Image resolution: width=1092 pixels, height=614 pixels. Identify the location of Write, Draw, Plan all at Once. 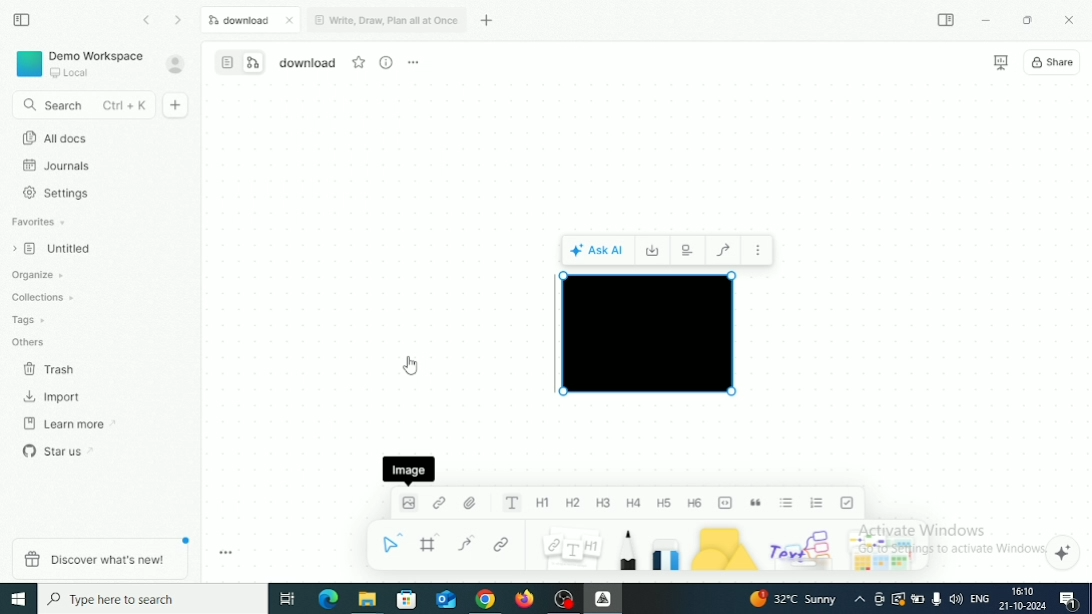
(386, 18).